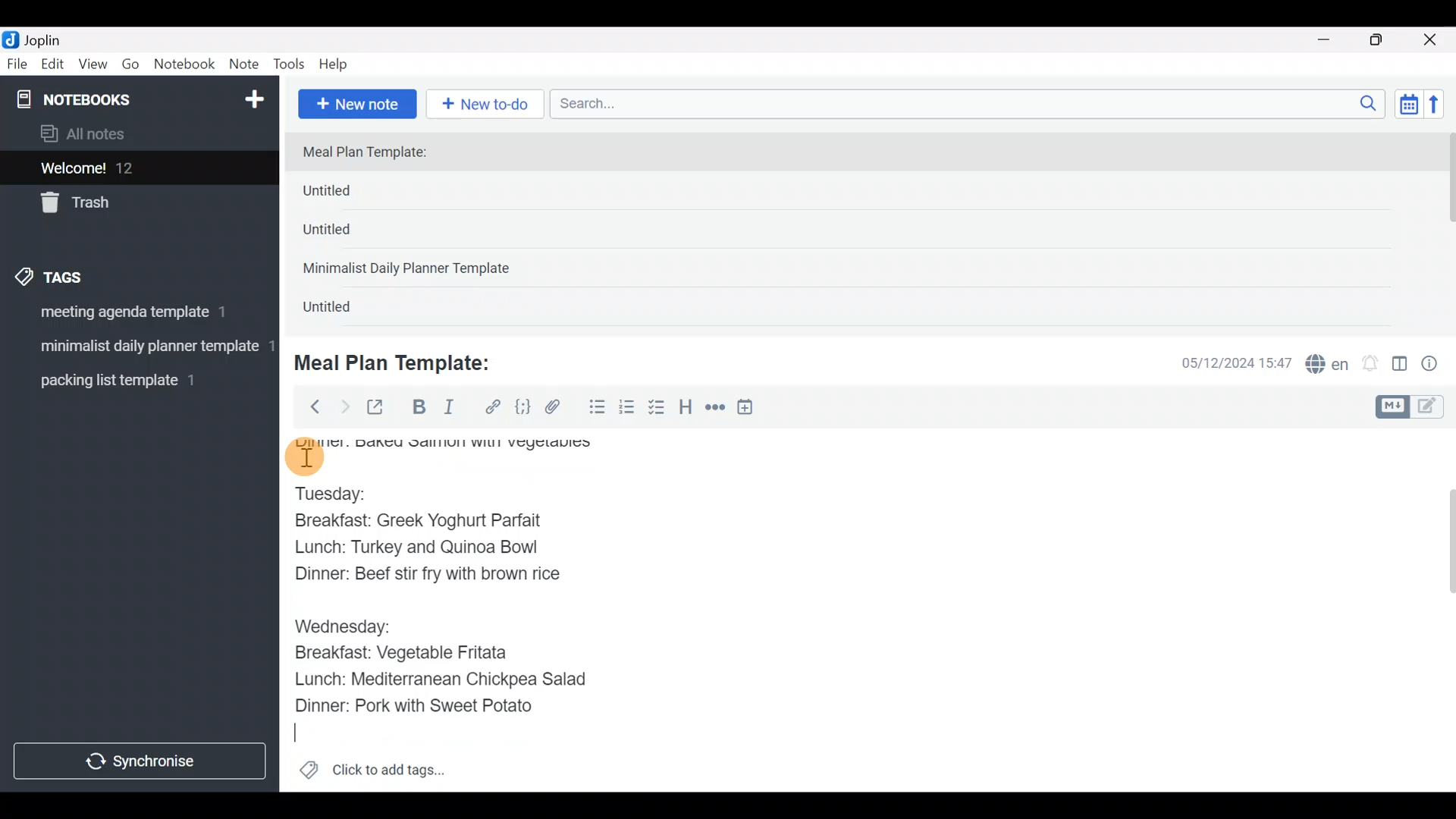 This screenshot has height=819, width=1456. What do you see at coordinates (331, 491) in the screenshot?
I see `Tuesday:` at bounding box center [331, 491].